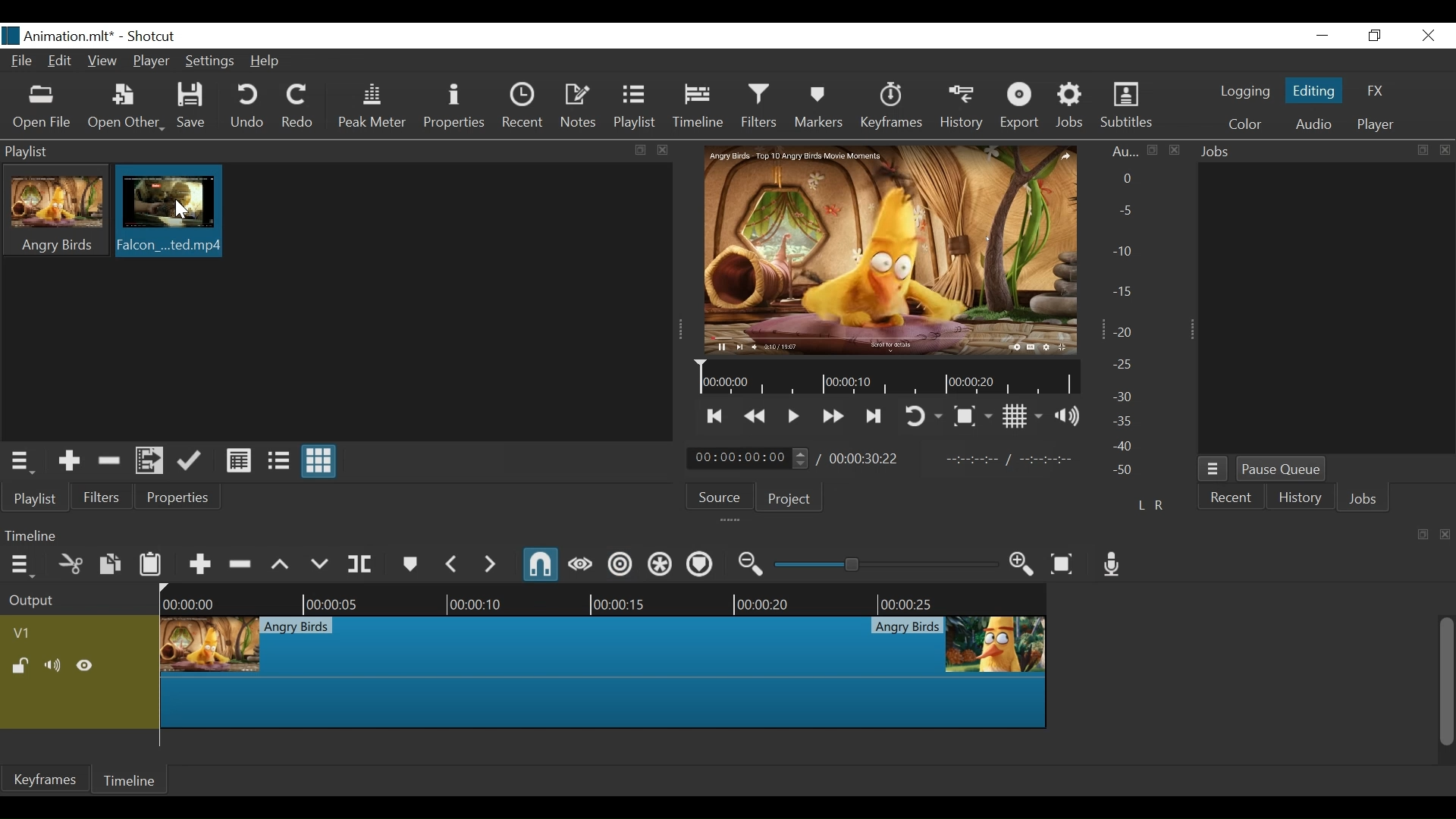 The width and height of the screenshot is (1456, 819). Describe the element at coordinates (715, 418) in the screenshot. I see `Skip to the previous point` at that location.